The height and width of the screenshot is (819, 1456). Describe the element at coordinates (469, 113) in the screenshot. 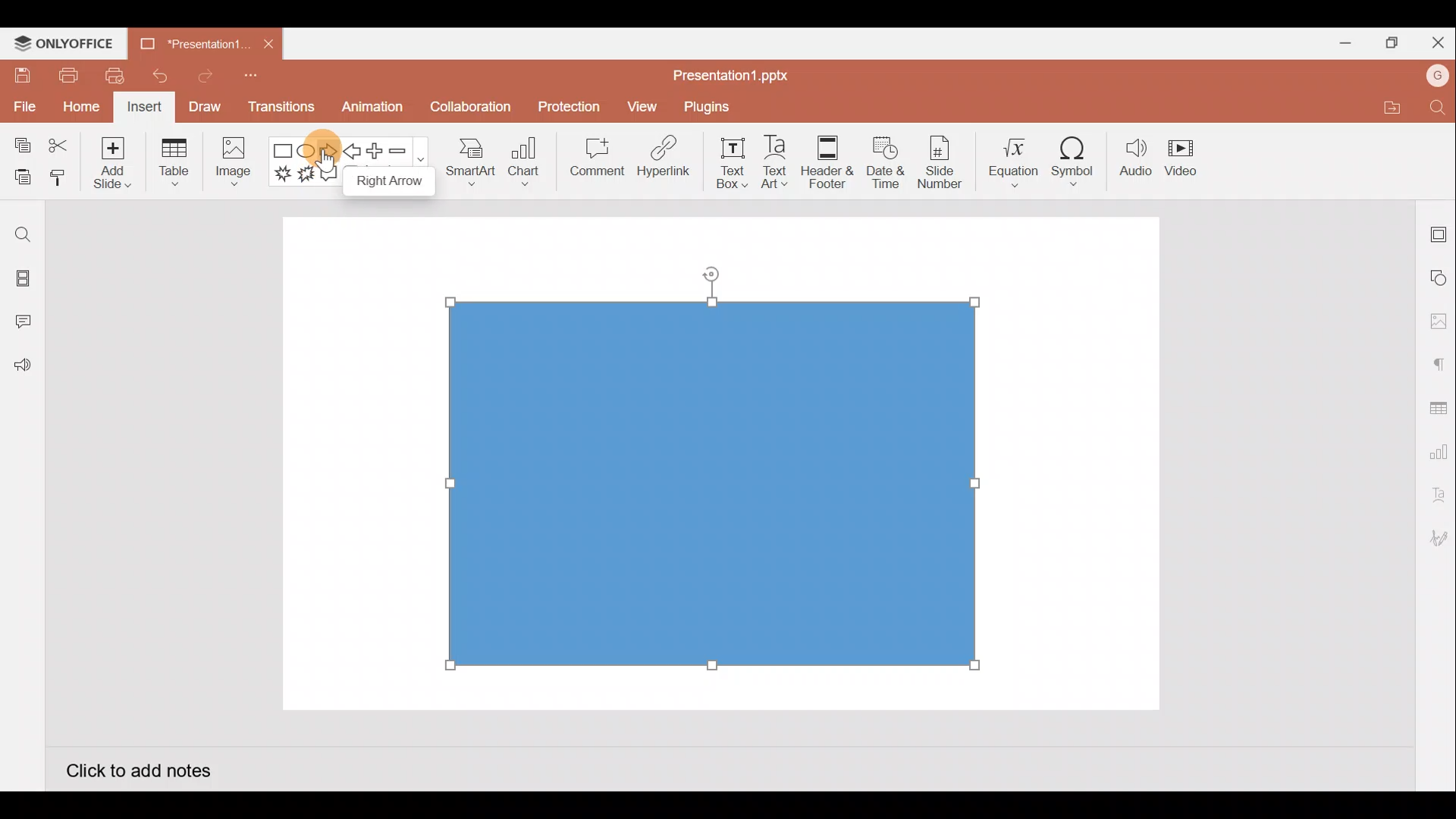

I see `Collaboration` at that location.